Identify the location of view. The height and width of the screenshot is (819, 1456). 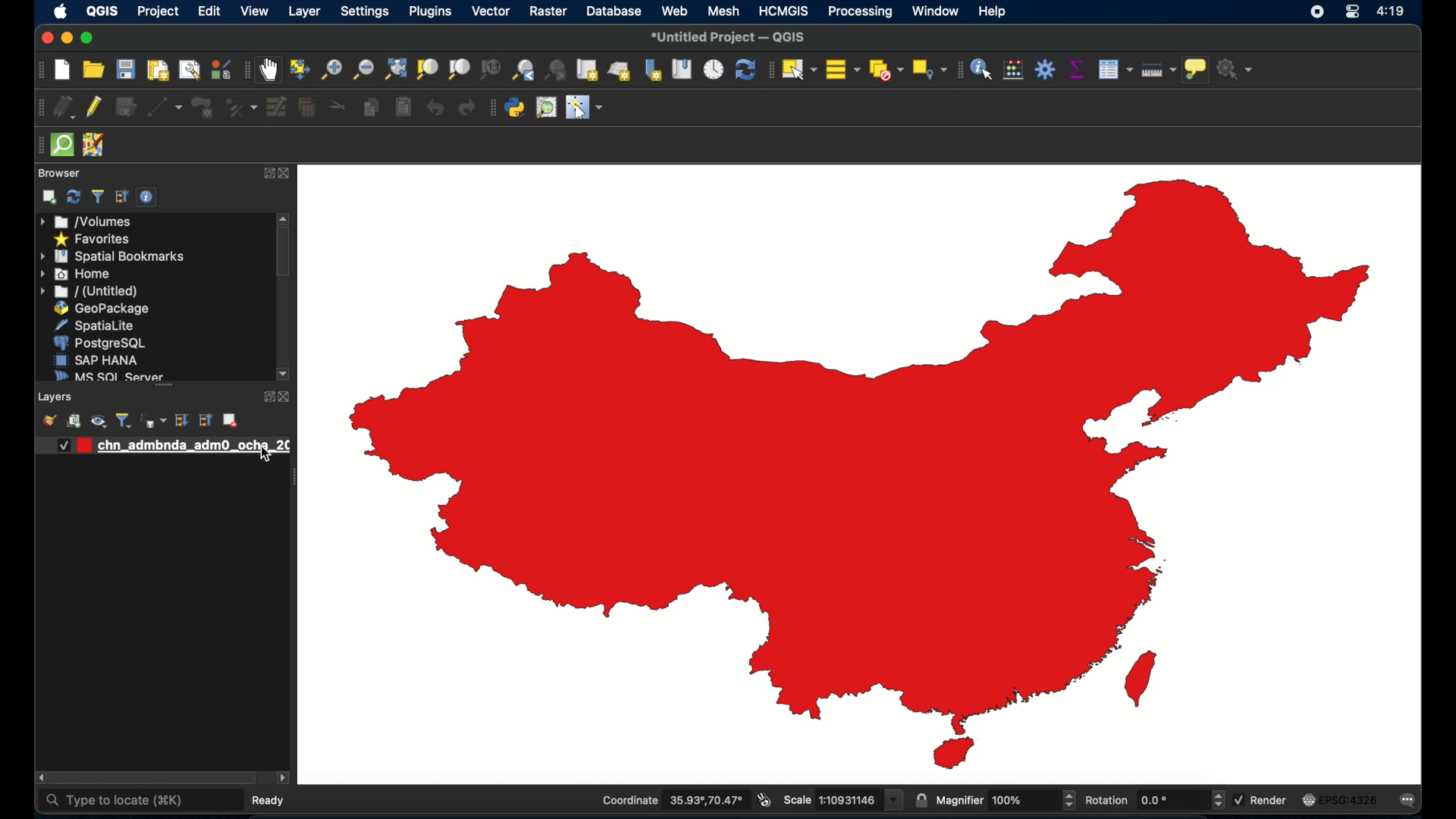
(255, 13).